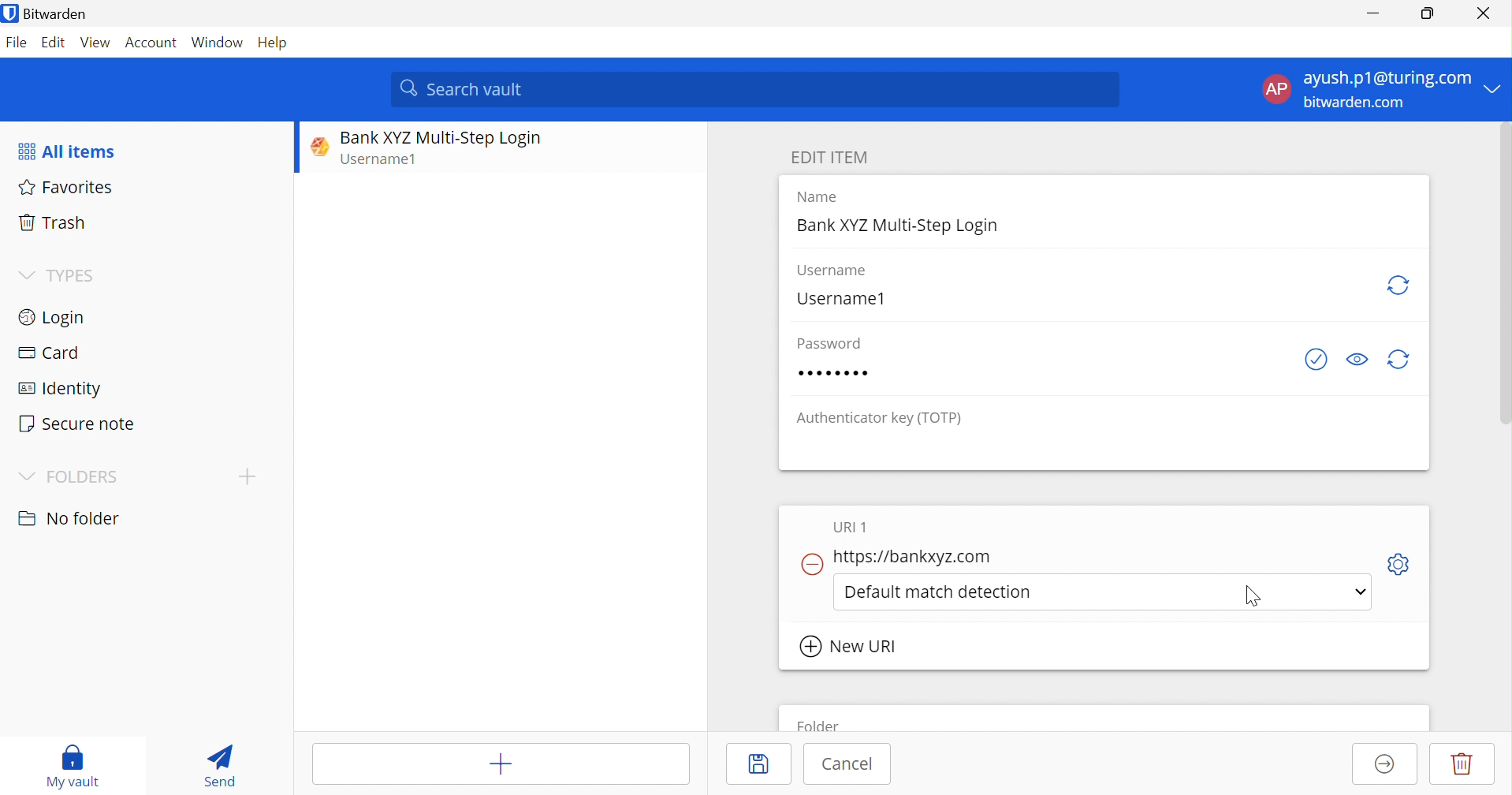  Describe the element at coordinates (1498, 89) in the screenshot. I see `Drop Down` at that location.